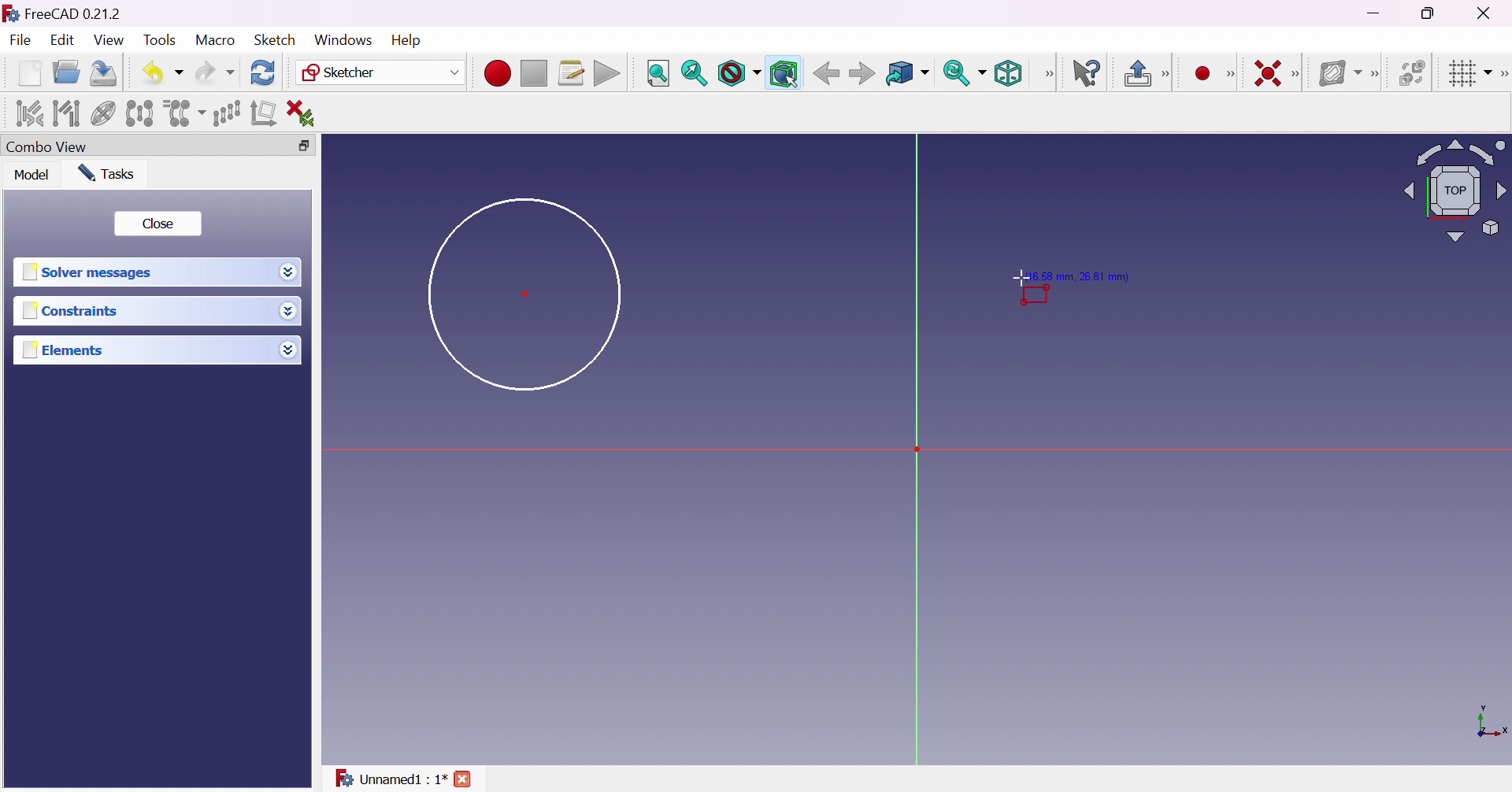 This screenshot has width=1512, height=792. I want to click on Show/hide internal geometry, so click(105, 115).